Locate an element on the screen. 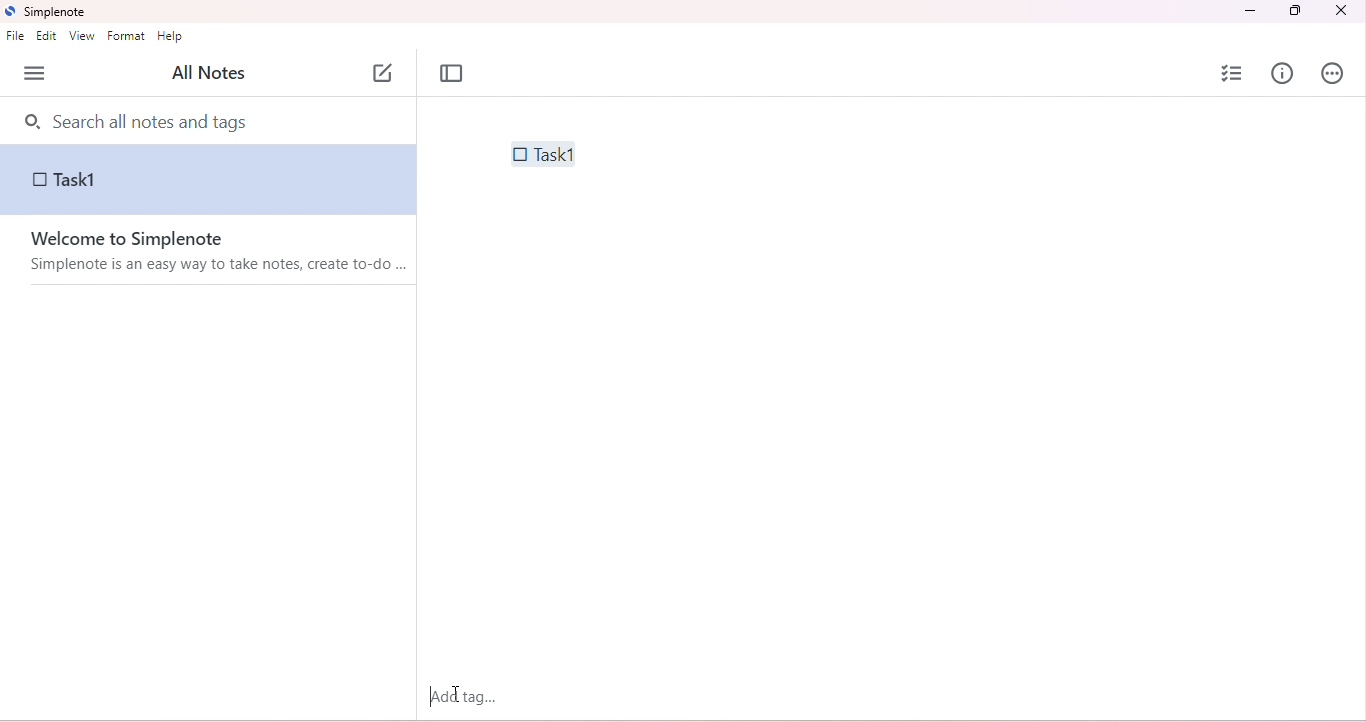 This screenshot has width=1366, height=722. simplenote is an easy way to take notes, create to do is located at coordinates (221, 266).